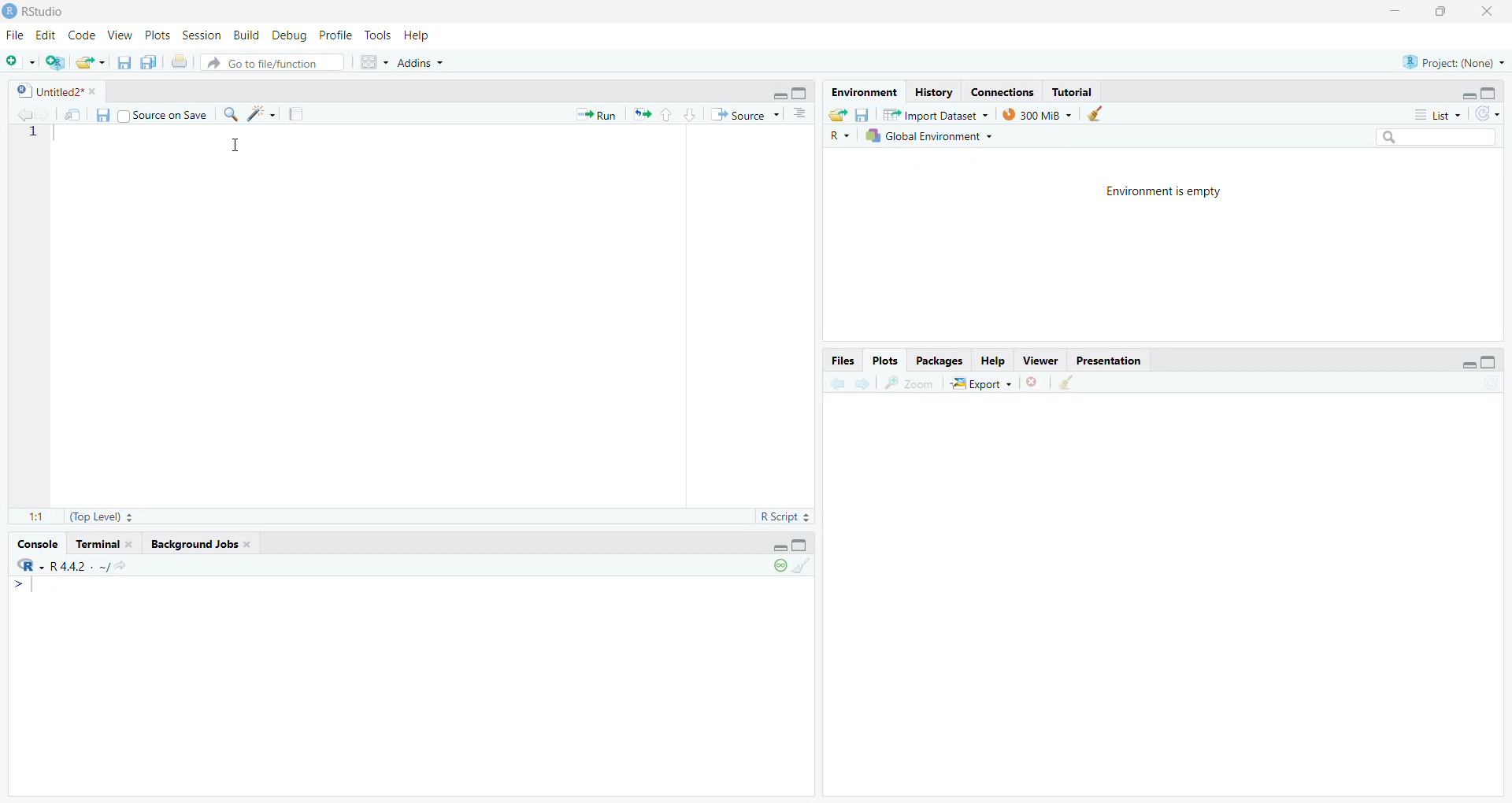 Image resolution: width=1512 pixels, height=803 pixels. Describe the element at coordinates (778, 516) in the screenshot. I see `R Script ` at that location.